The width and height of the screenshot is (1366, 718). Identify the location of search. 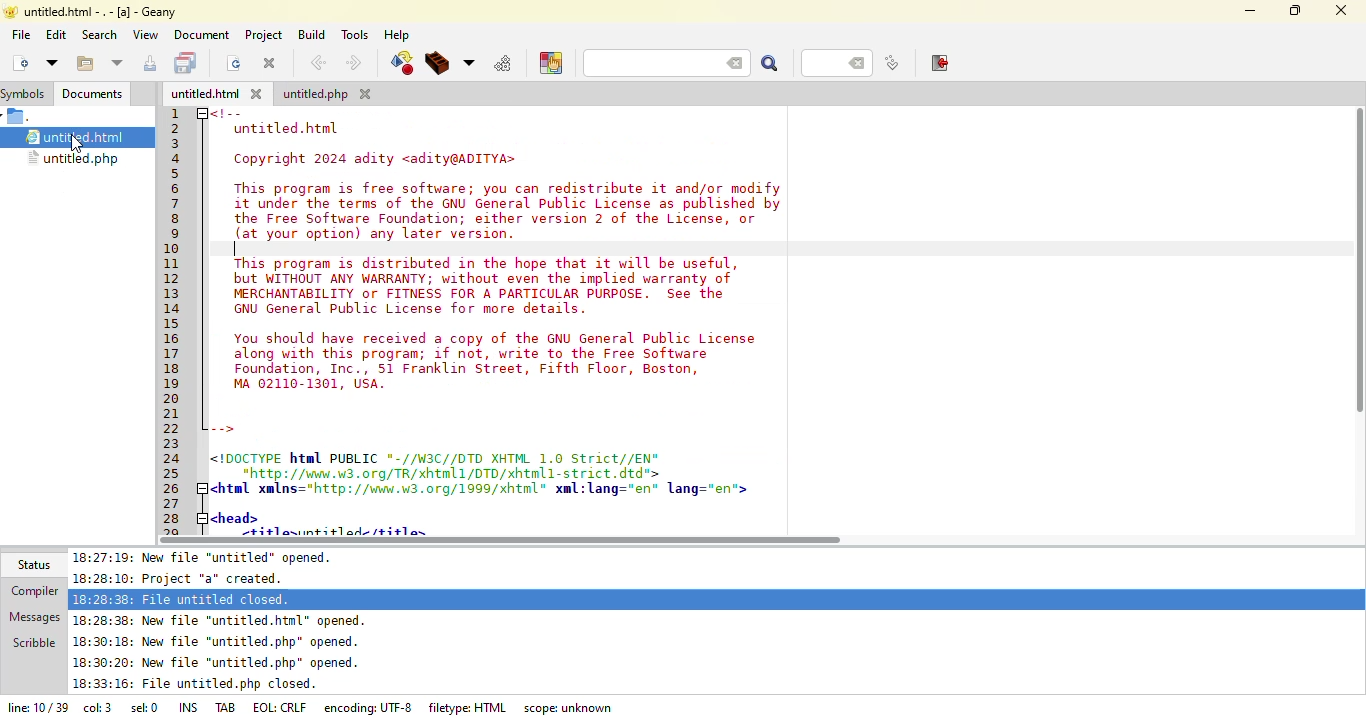
(99, 35).